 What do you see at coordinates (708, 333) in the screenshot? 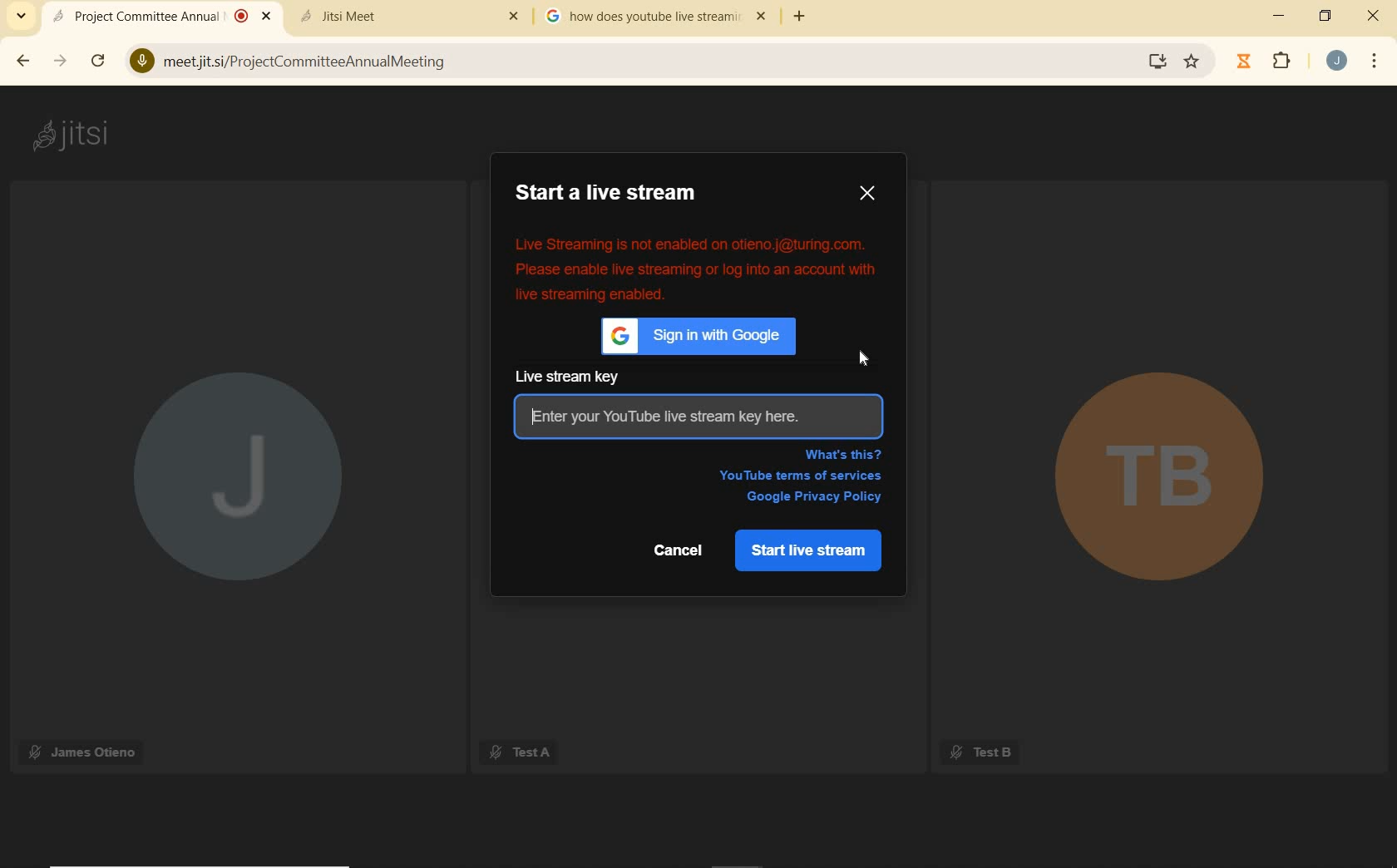
I see `sign in with Google` at bounding box center [708, 333].